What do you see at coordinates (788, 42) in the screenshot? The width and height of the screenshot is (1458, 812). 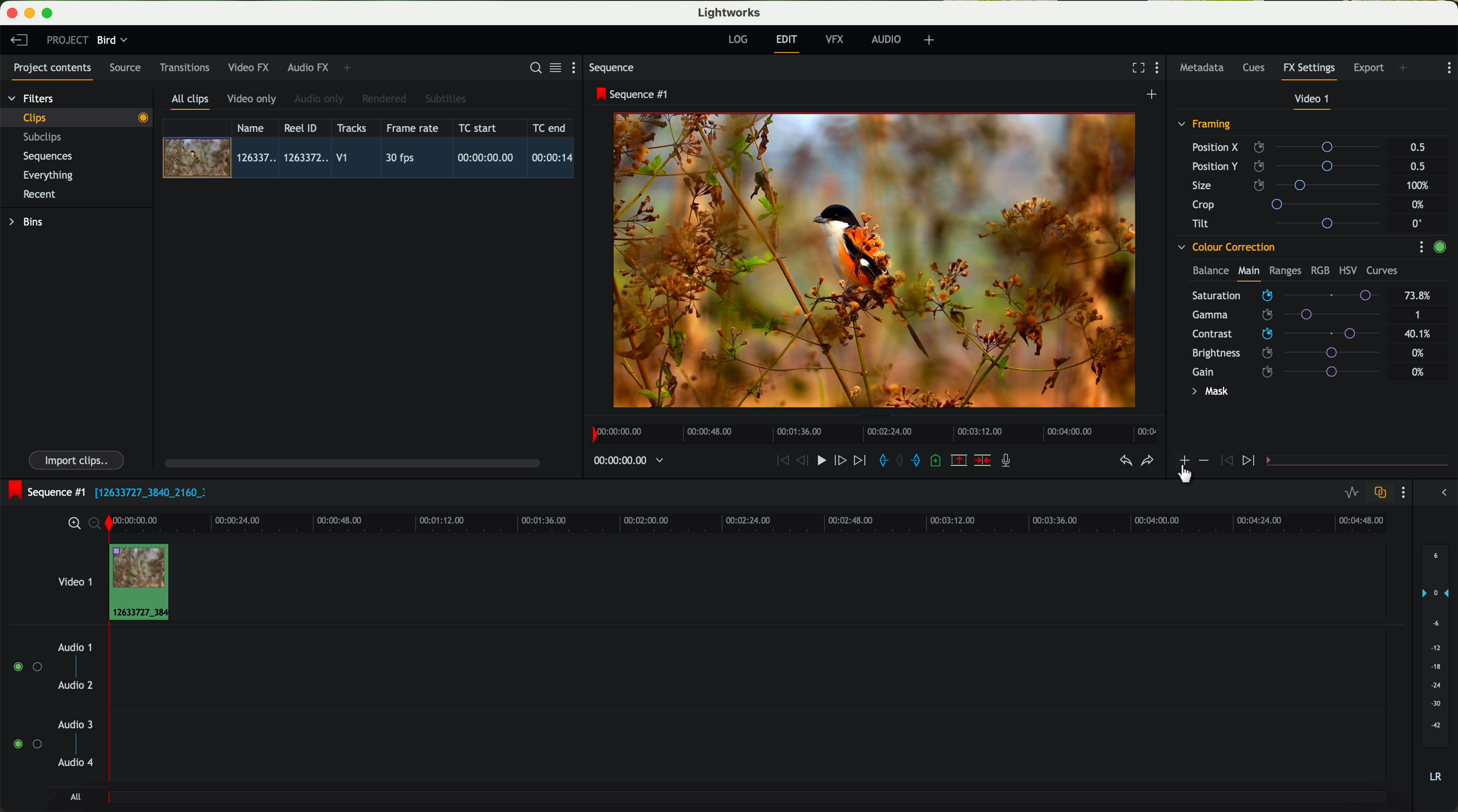 I see `edit` at bounding box center [788, 42].